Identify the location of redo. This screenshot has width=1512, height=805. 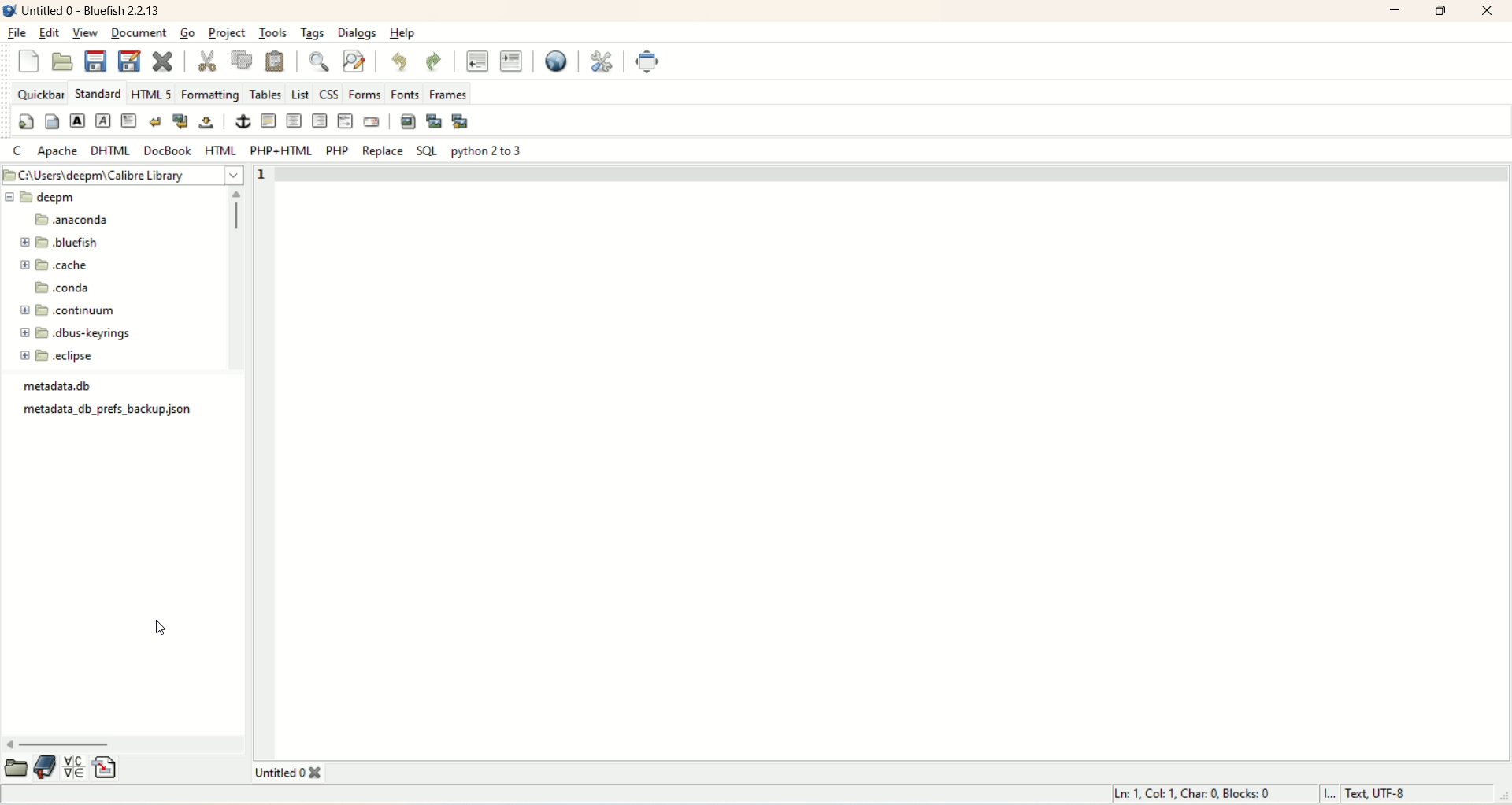
(432, 59).